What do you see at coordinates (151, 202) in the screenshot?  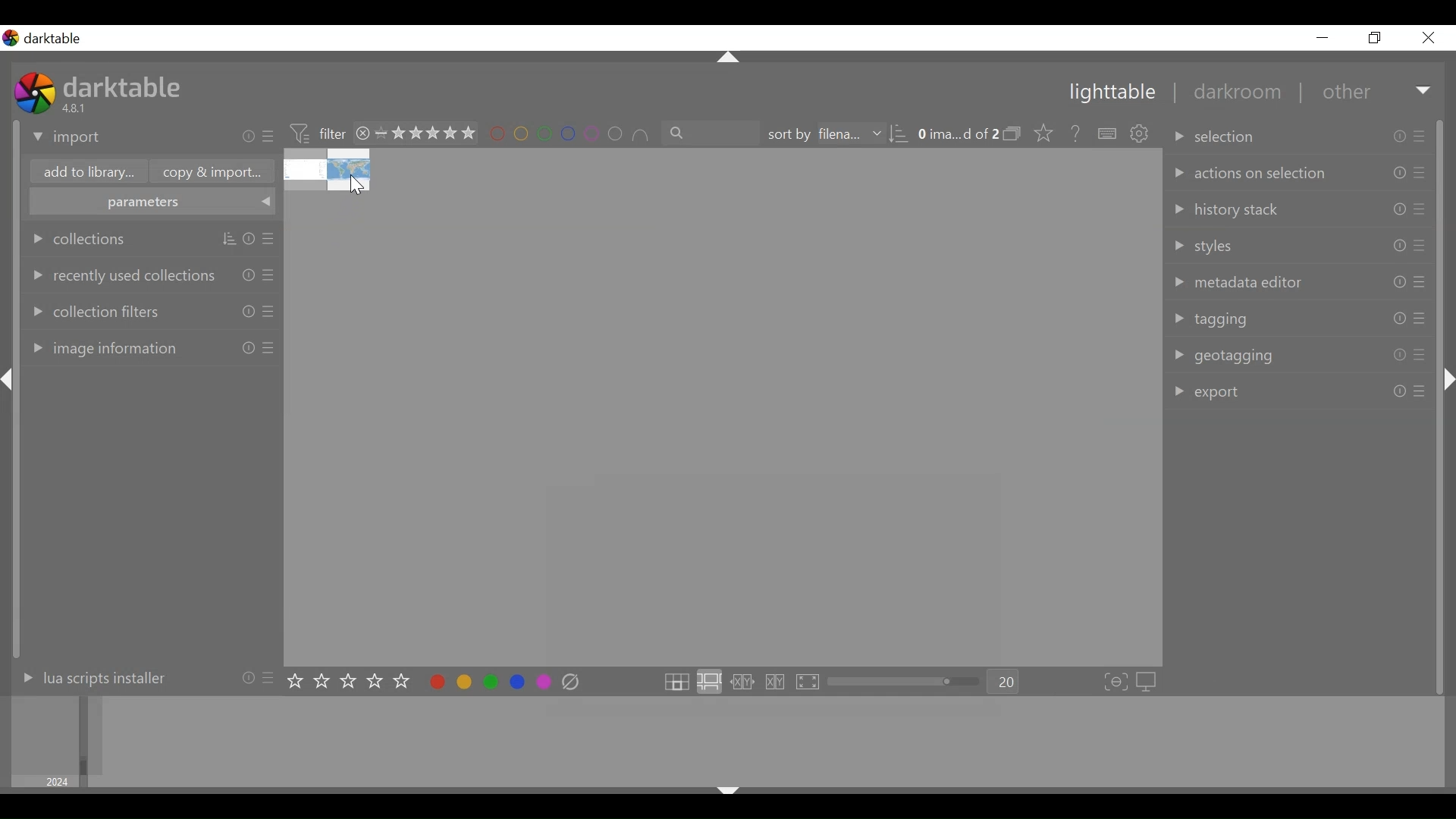 I see `parameters` at bounding box center [151, 202].